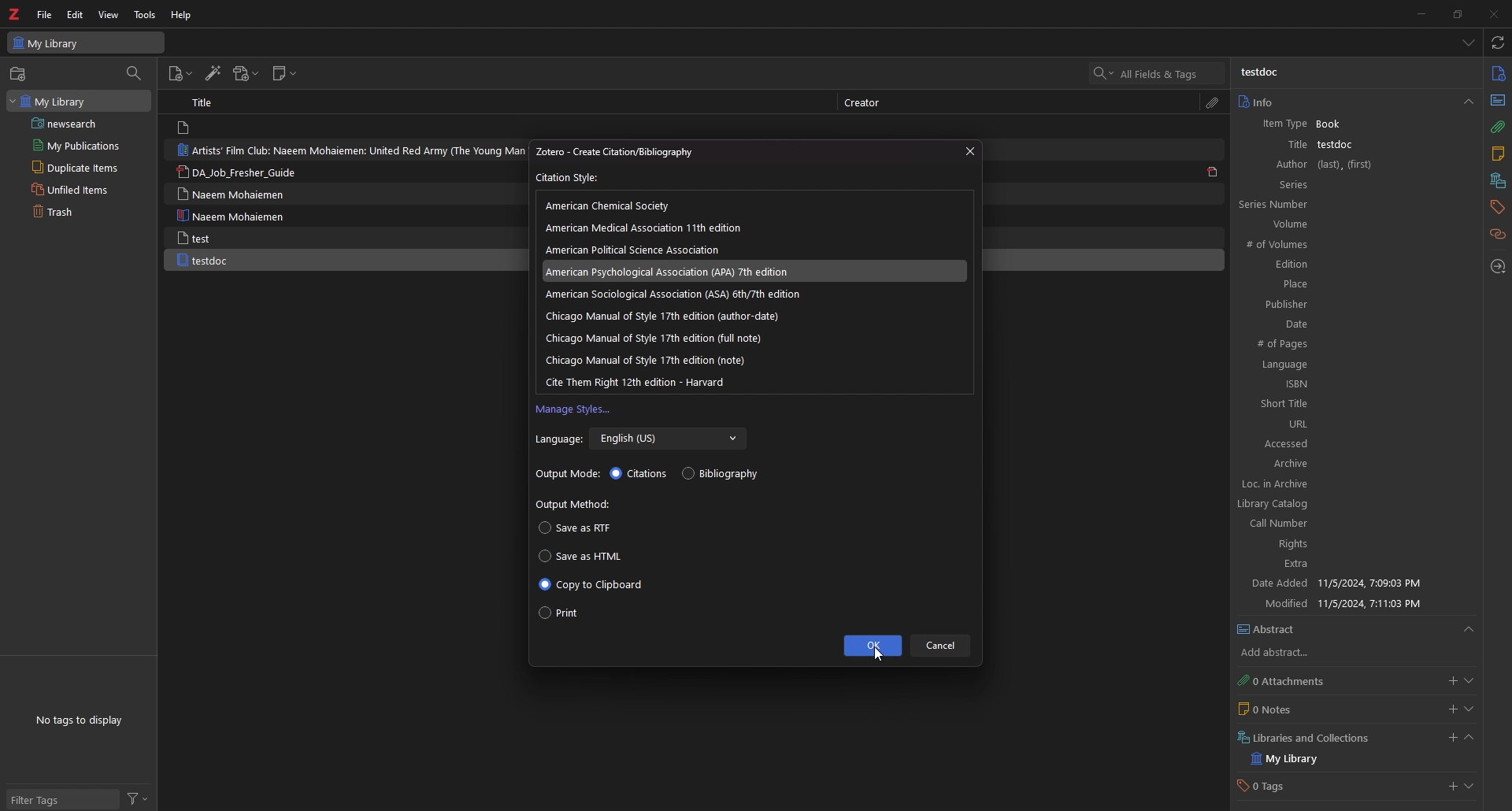 The height and width of the screenshot is (811, 1512). I want to click on new note, so click(285, 74).